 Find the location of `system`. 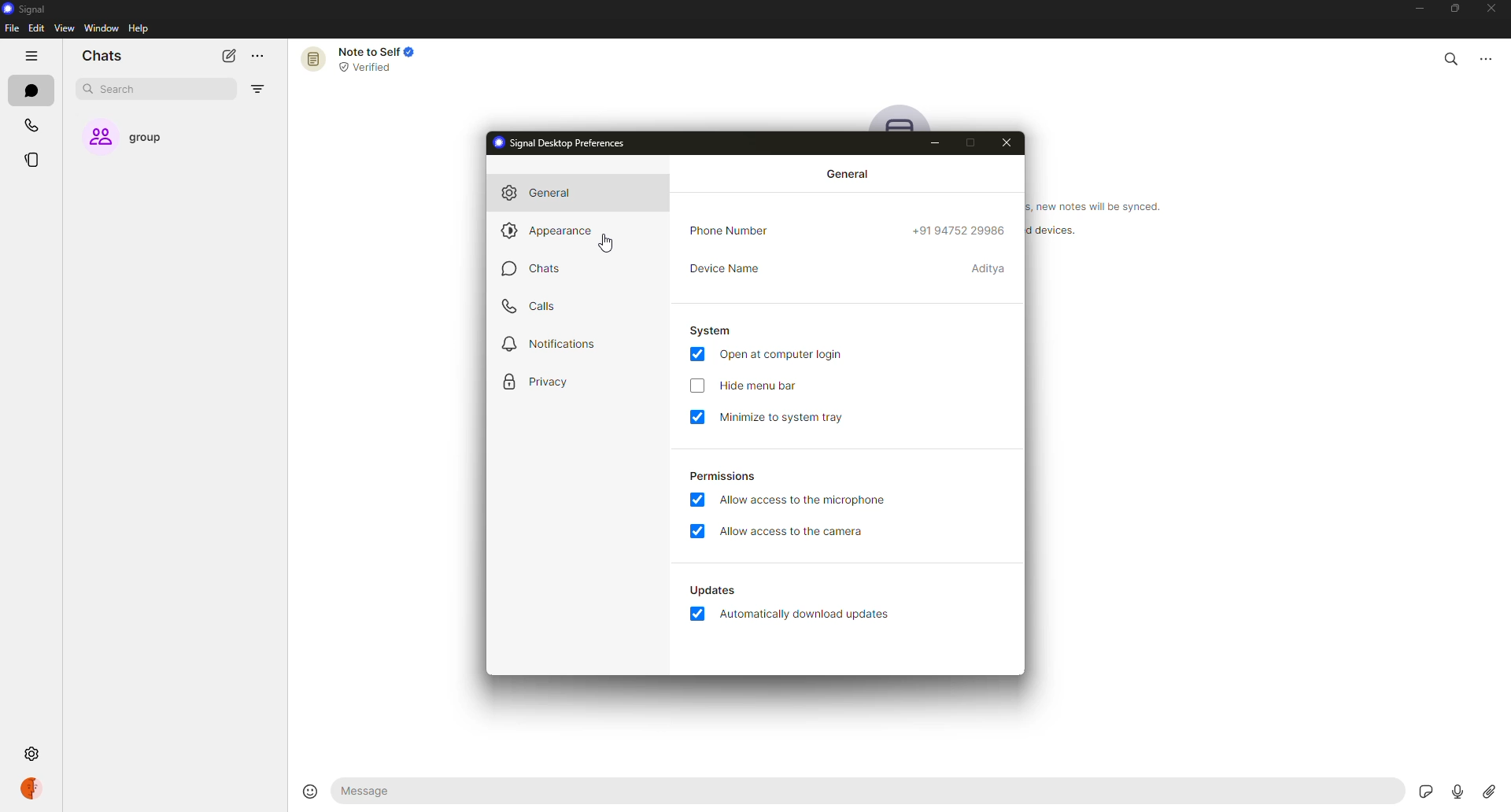

system is located at coordinates (711, 330).